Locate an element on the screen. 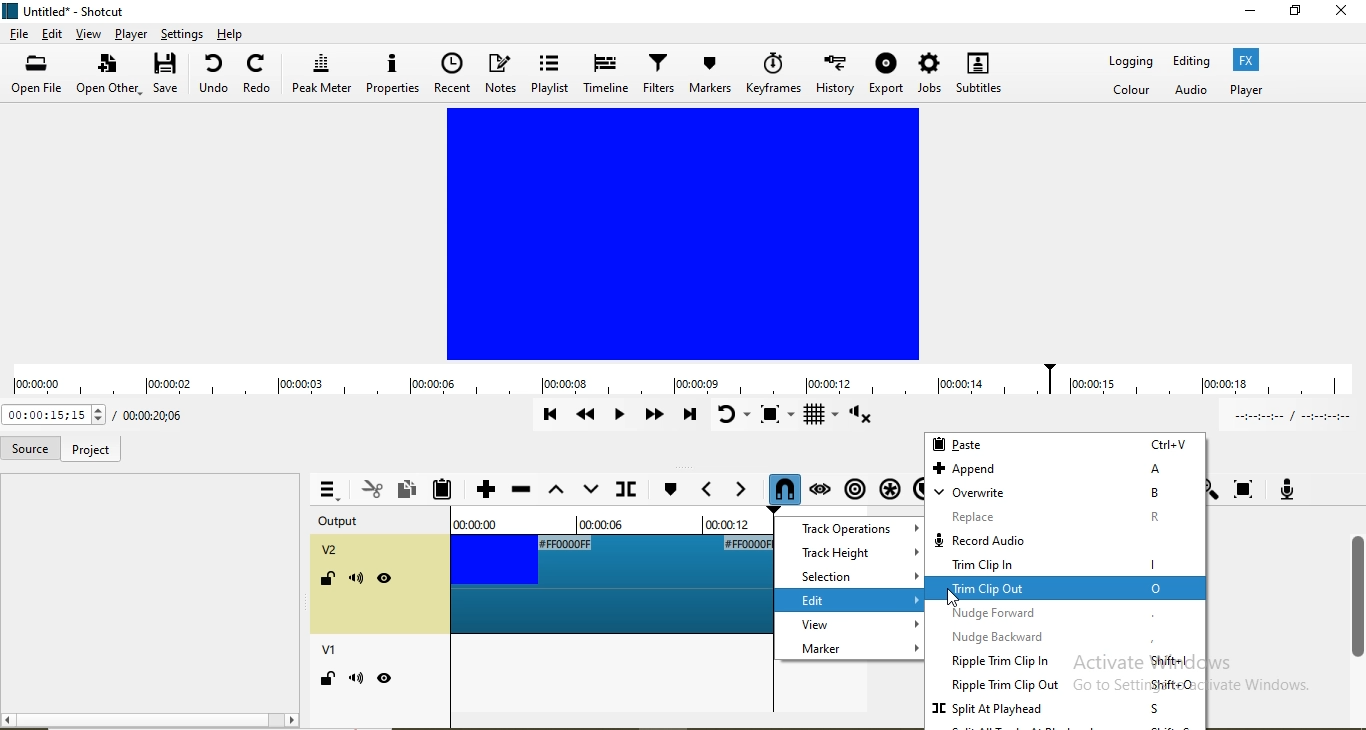  subtitles is located at coordinates (978, 72).